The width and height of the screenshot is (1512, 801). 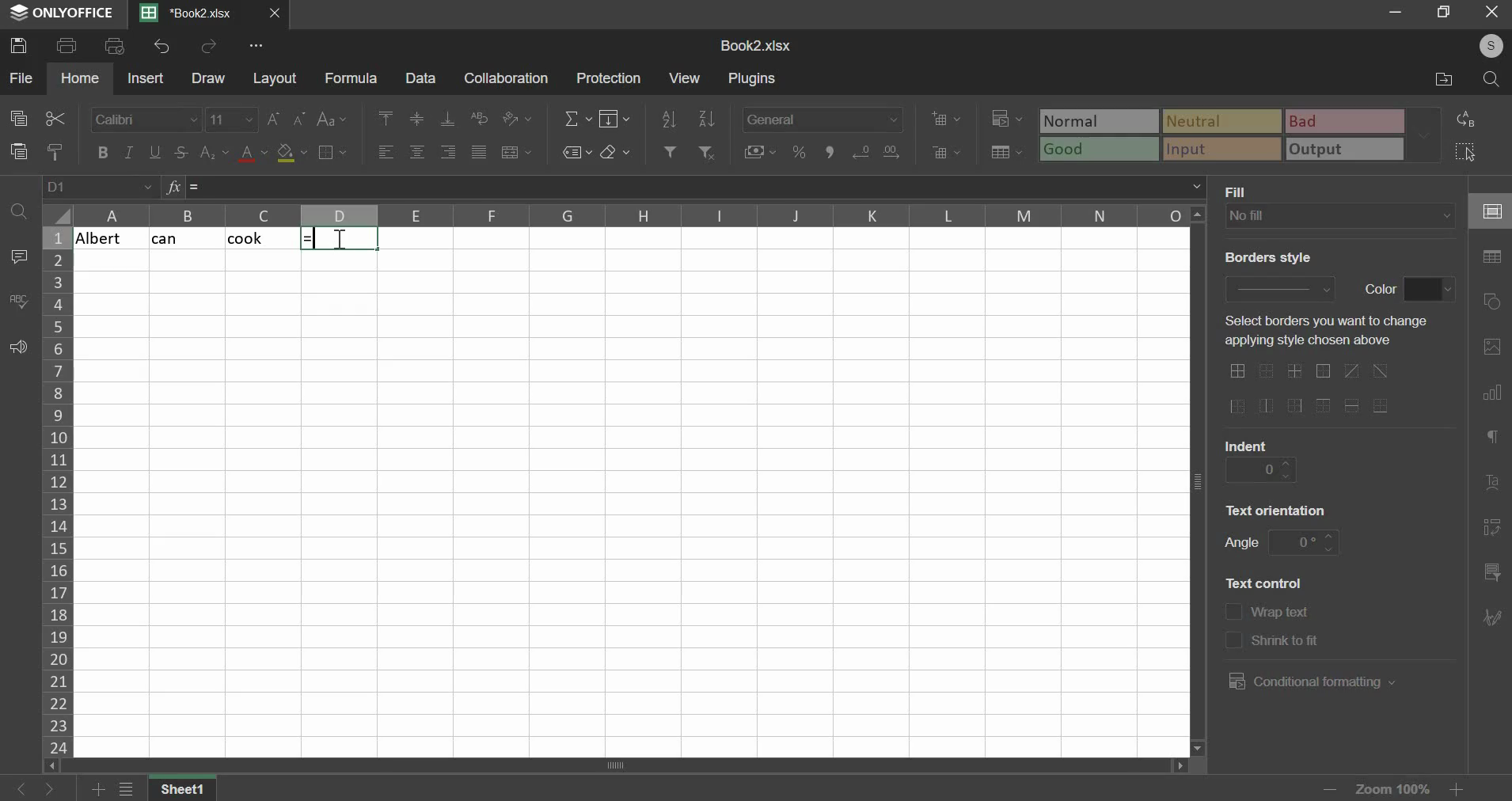 What do you see at coordinates (1491, 396) in the screenshot?
I see `chart` at bounding box center [1491, 396].